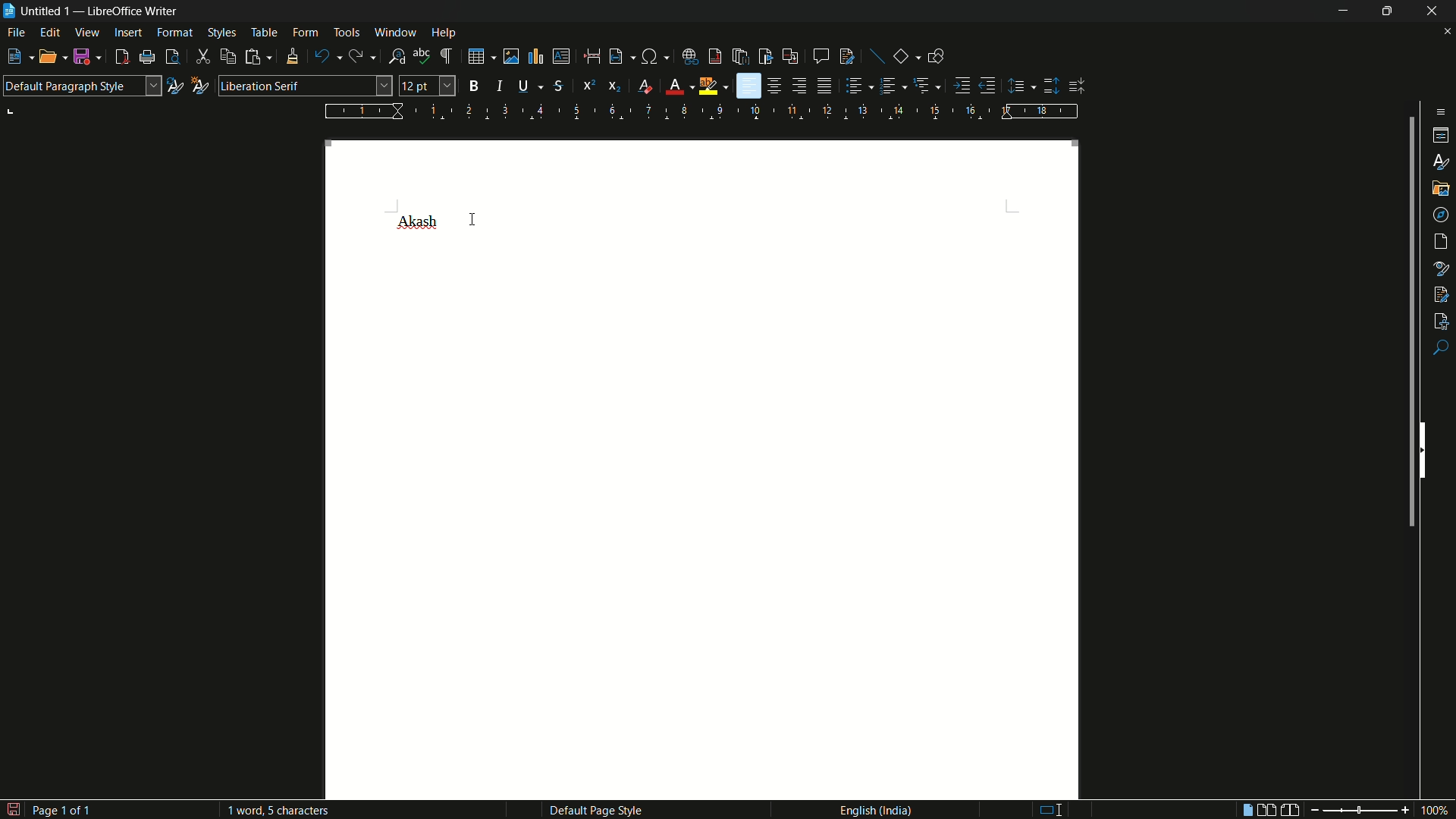 This screenshot has width=1456, height=819. Describe the element at coordinates (1407, 325) in the screenshot. I see `scroll bar` at that location.